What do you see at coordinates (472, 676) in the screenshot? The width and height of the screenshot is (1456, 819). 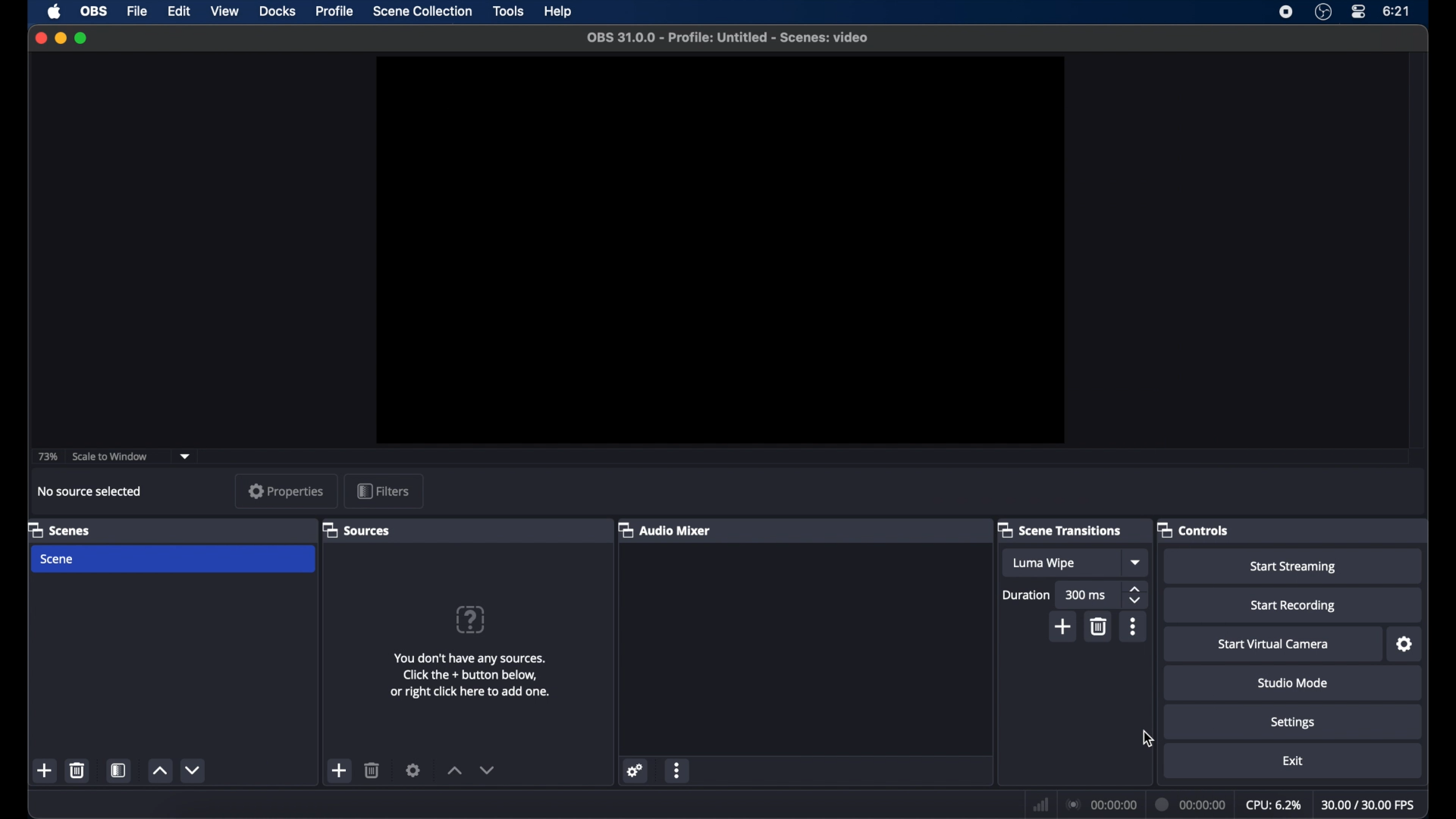 I see `add sources information` at bounding box center [472, 676].